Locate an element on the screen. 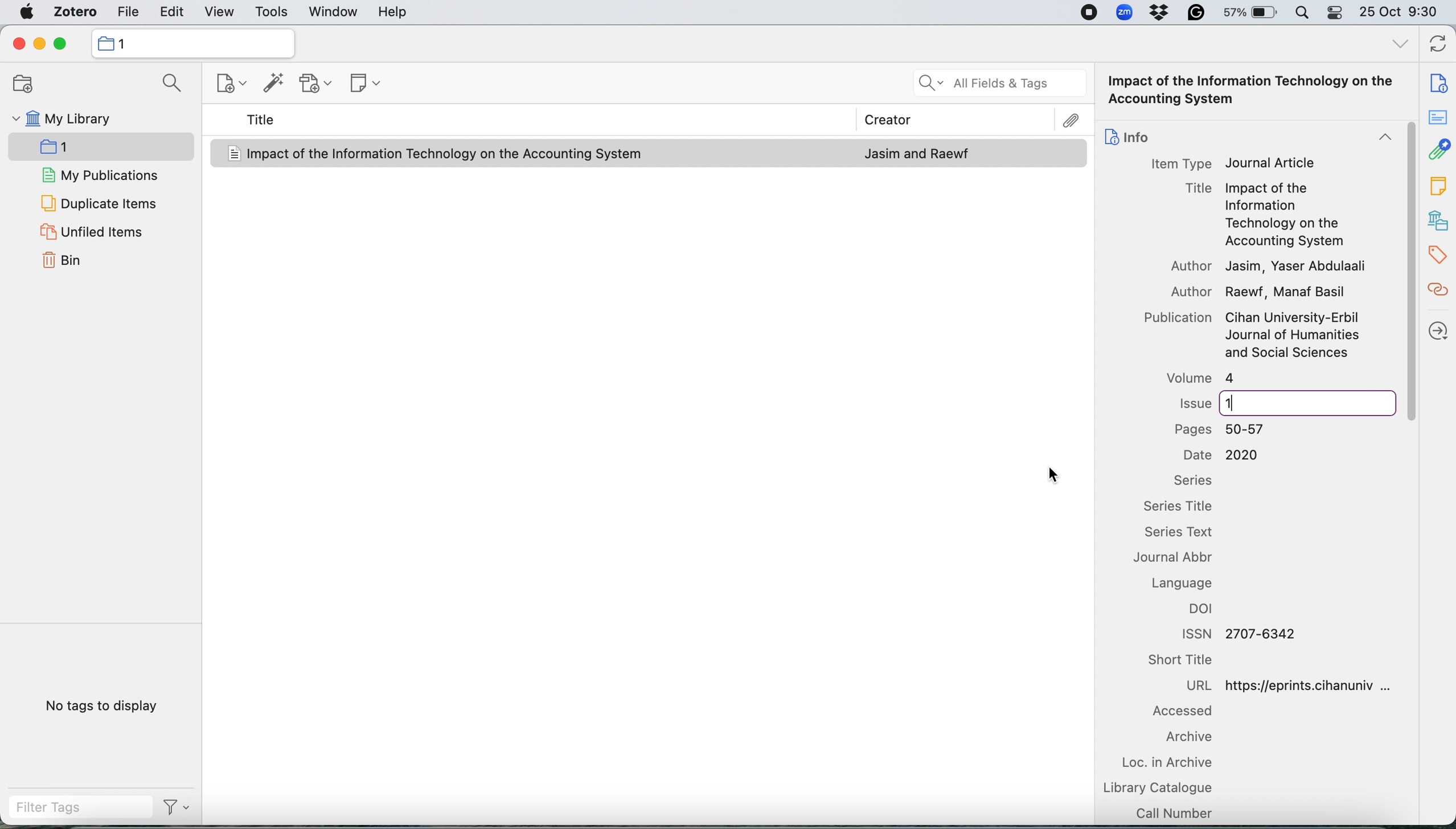 This screenshot has height=829, width=1456. related is located at coordinates (1437, 294).